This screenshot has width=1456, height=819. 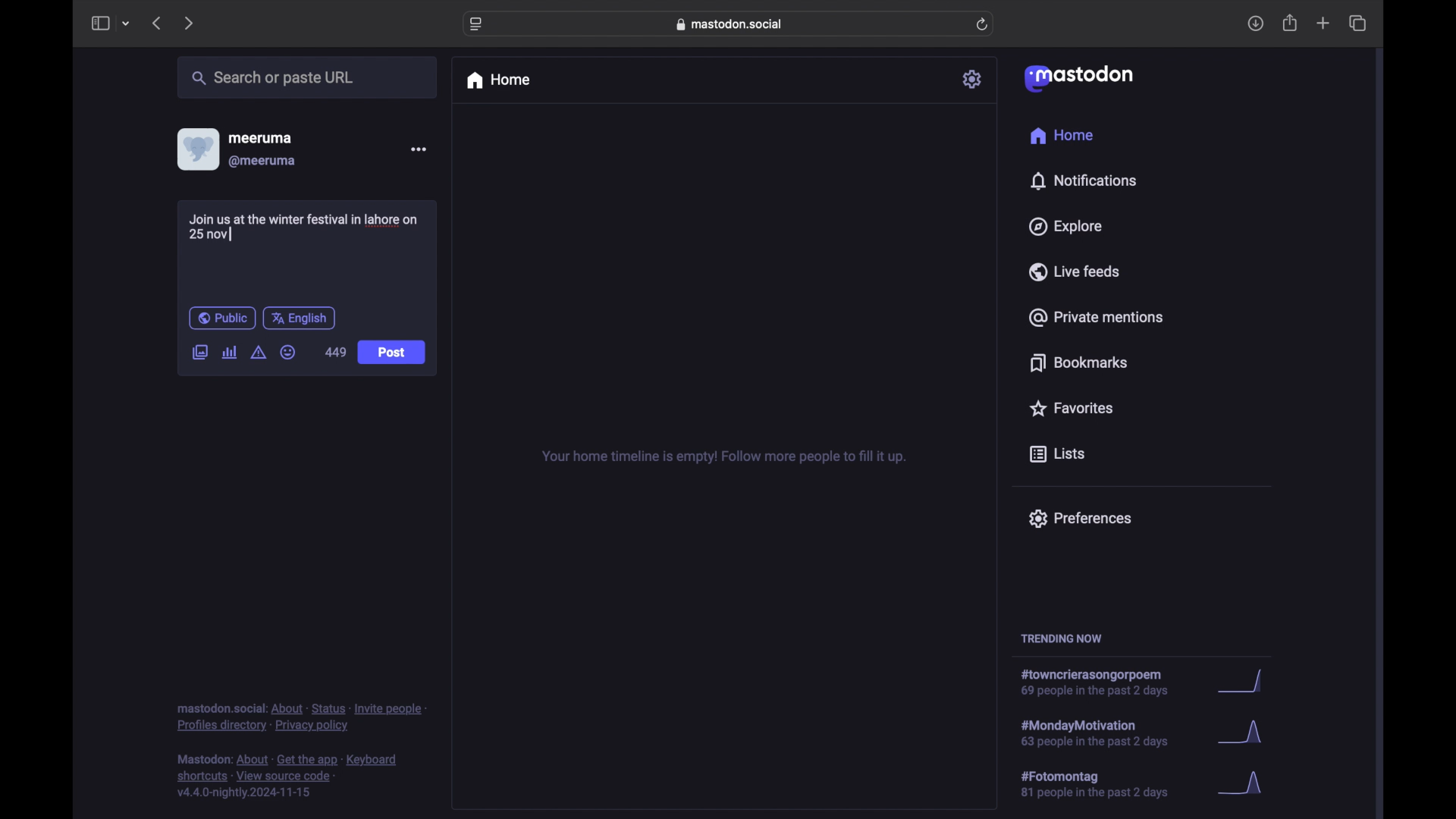 I want to click on emoji, so click(x=288, y=353).